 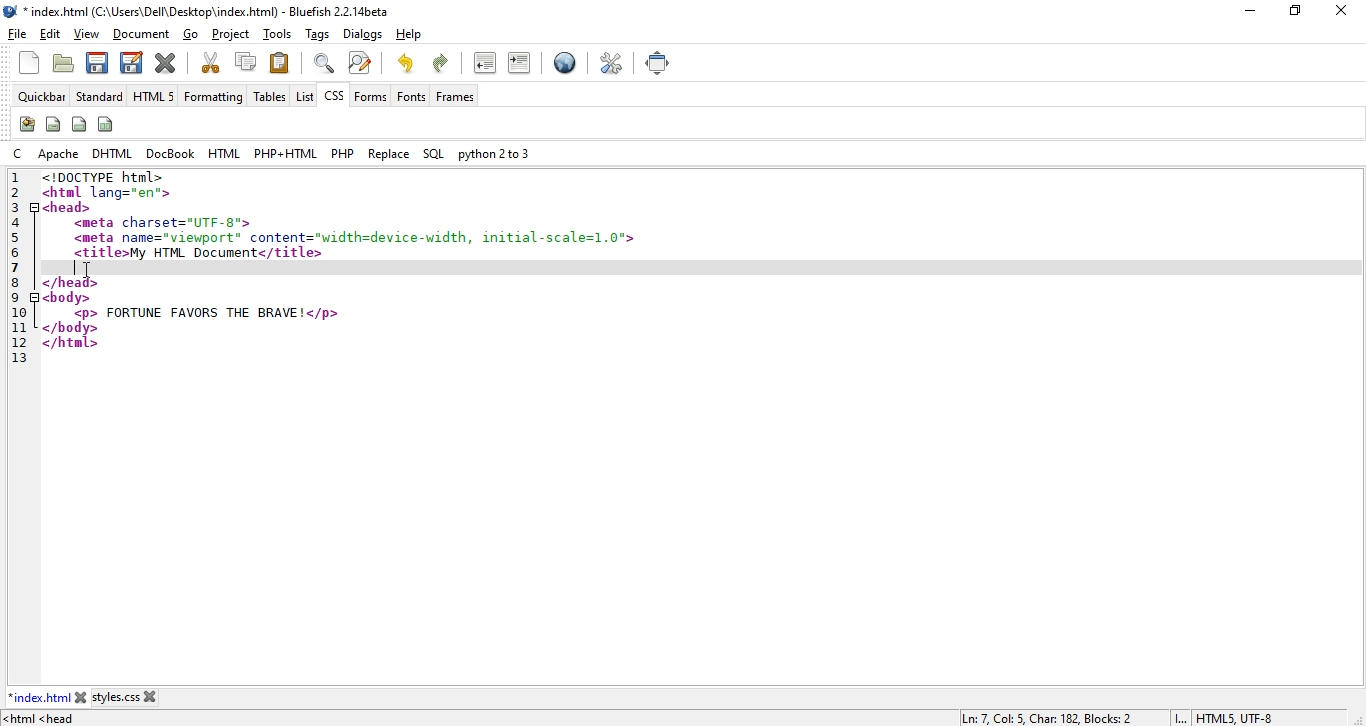 I want to click on quickbar, so click(x=44, y=97).